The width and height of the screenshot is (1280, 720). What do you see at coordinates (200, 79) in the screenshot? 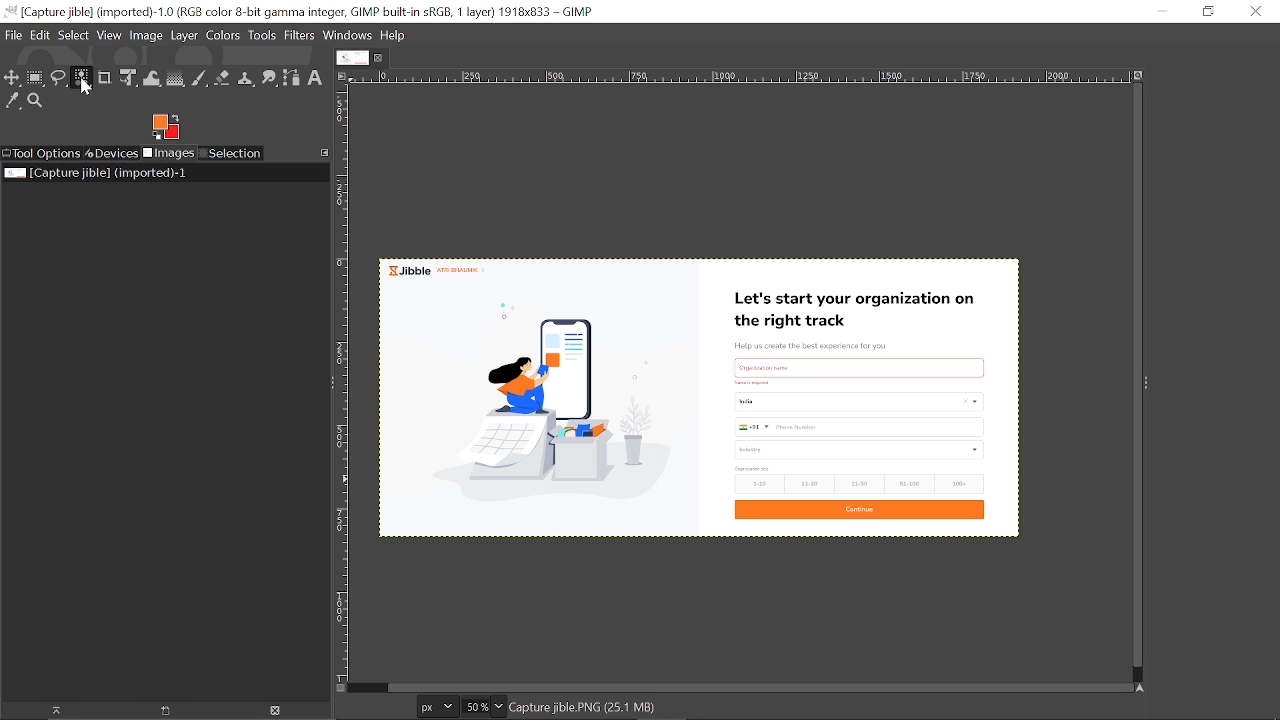
I see `Paintbrush tool` at bounding box center [200, 79].